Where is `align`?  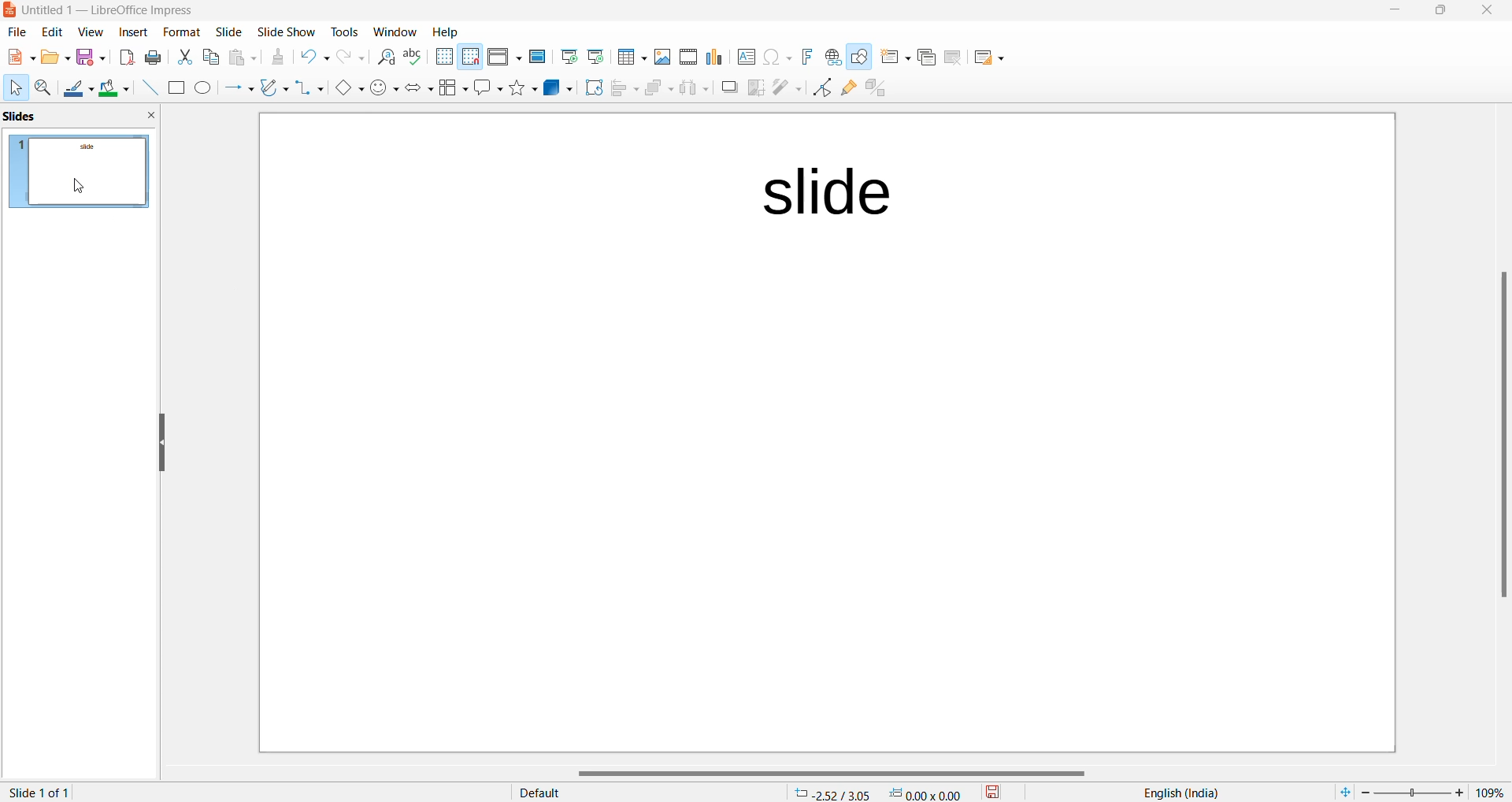
align is located at coordinates (625, 89).